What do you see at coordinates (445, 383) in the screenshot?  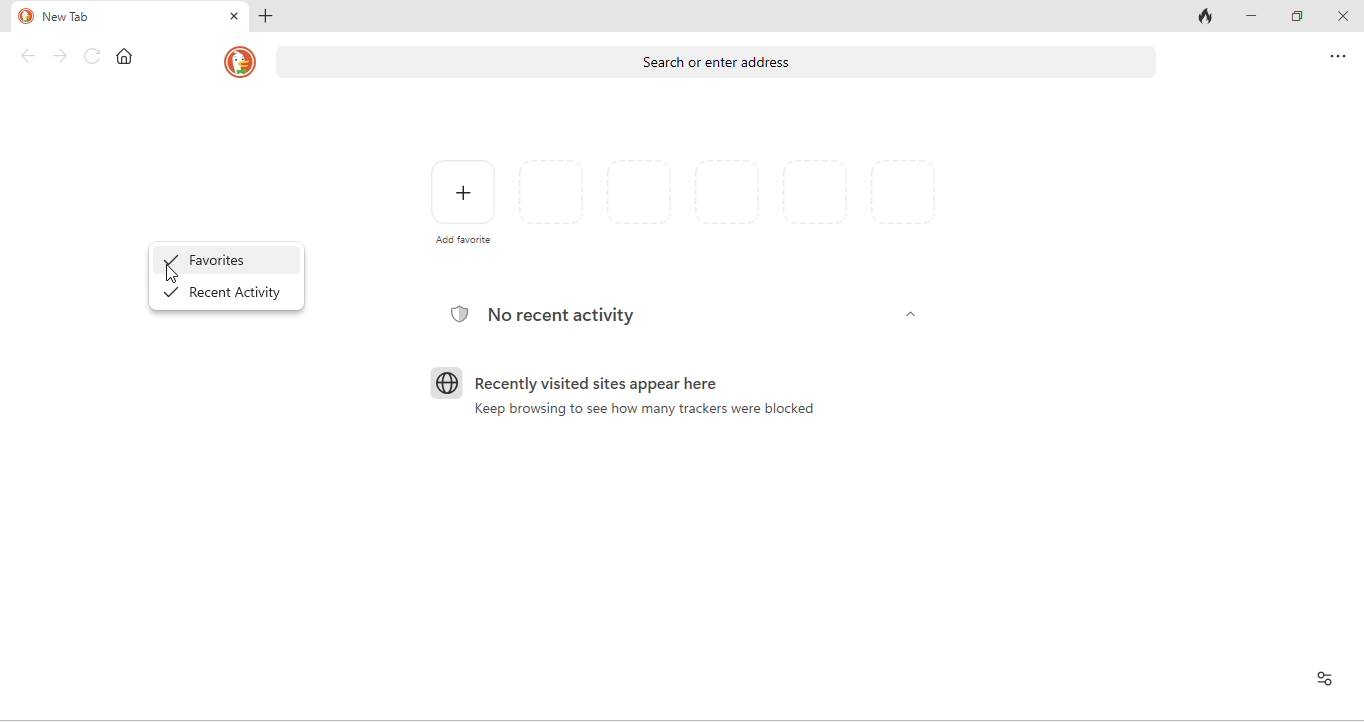 I see `browser logo` at bounding box center [445, 383].